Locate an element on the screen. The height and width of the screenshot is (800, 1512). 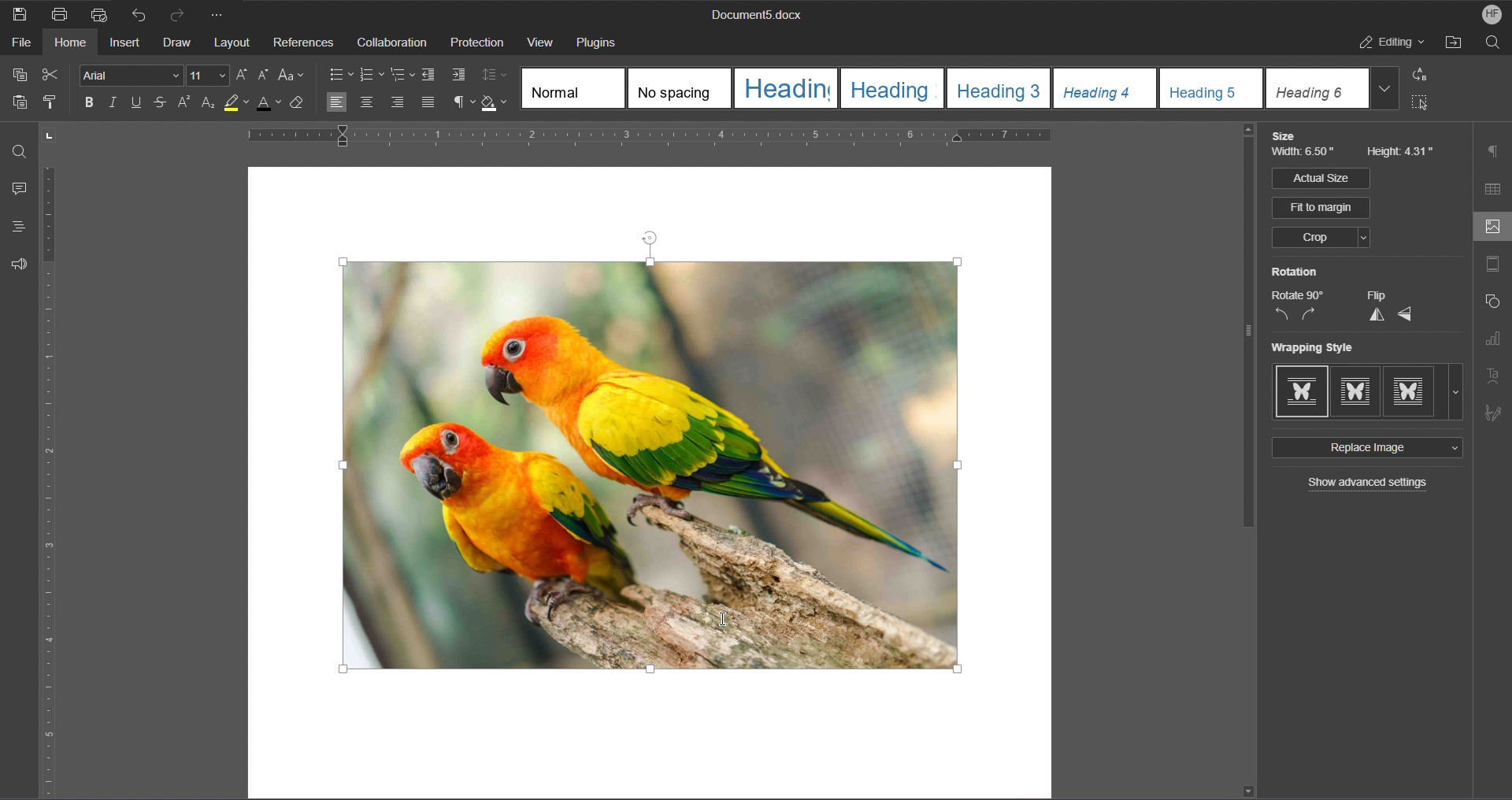
Copy is located at coordinates (18, 75).